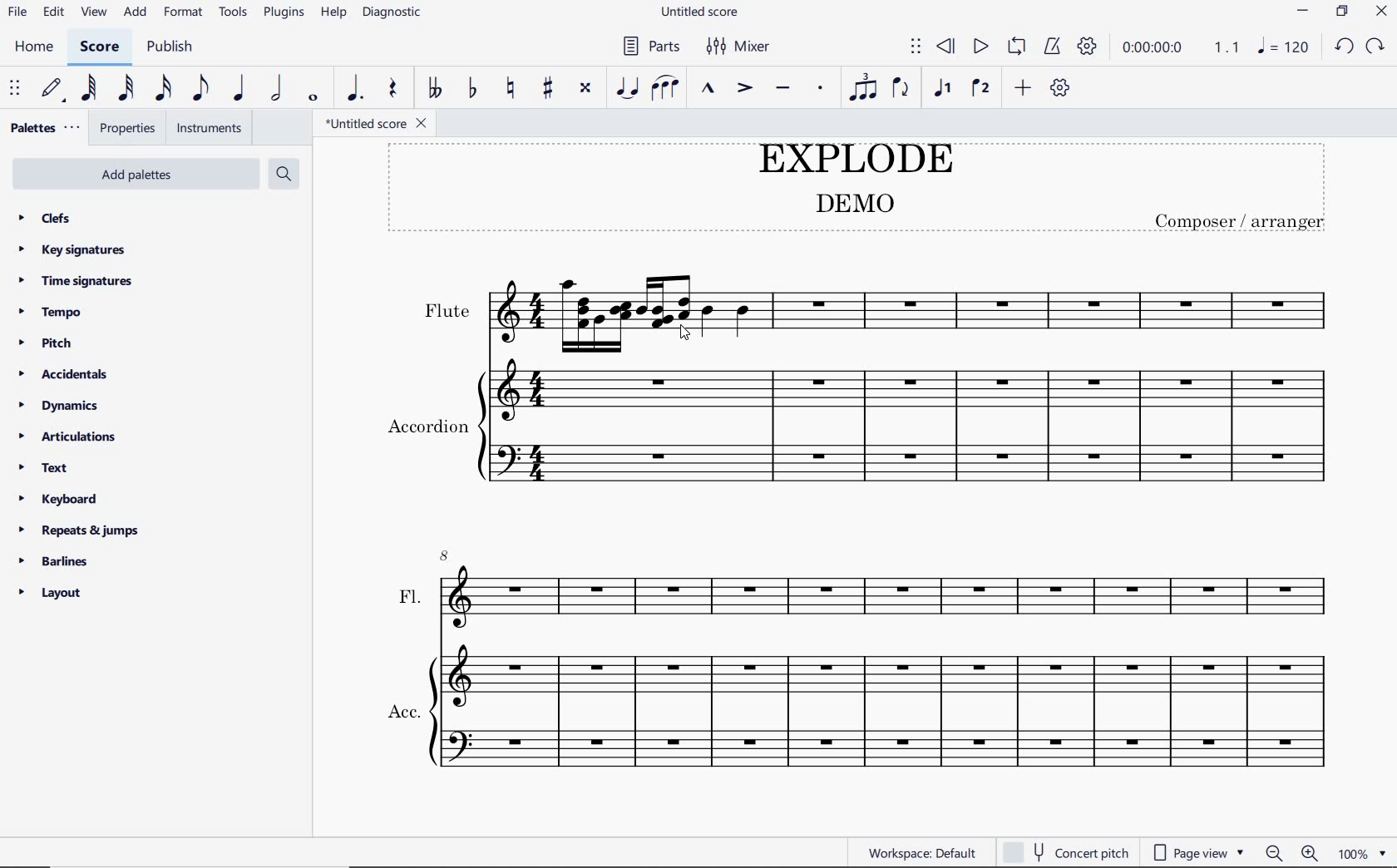  I want to click on 32nd note, so click(126, 90).